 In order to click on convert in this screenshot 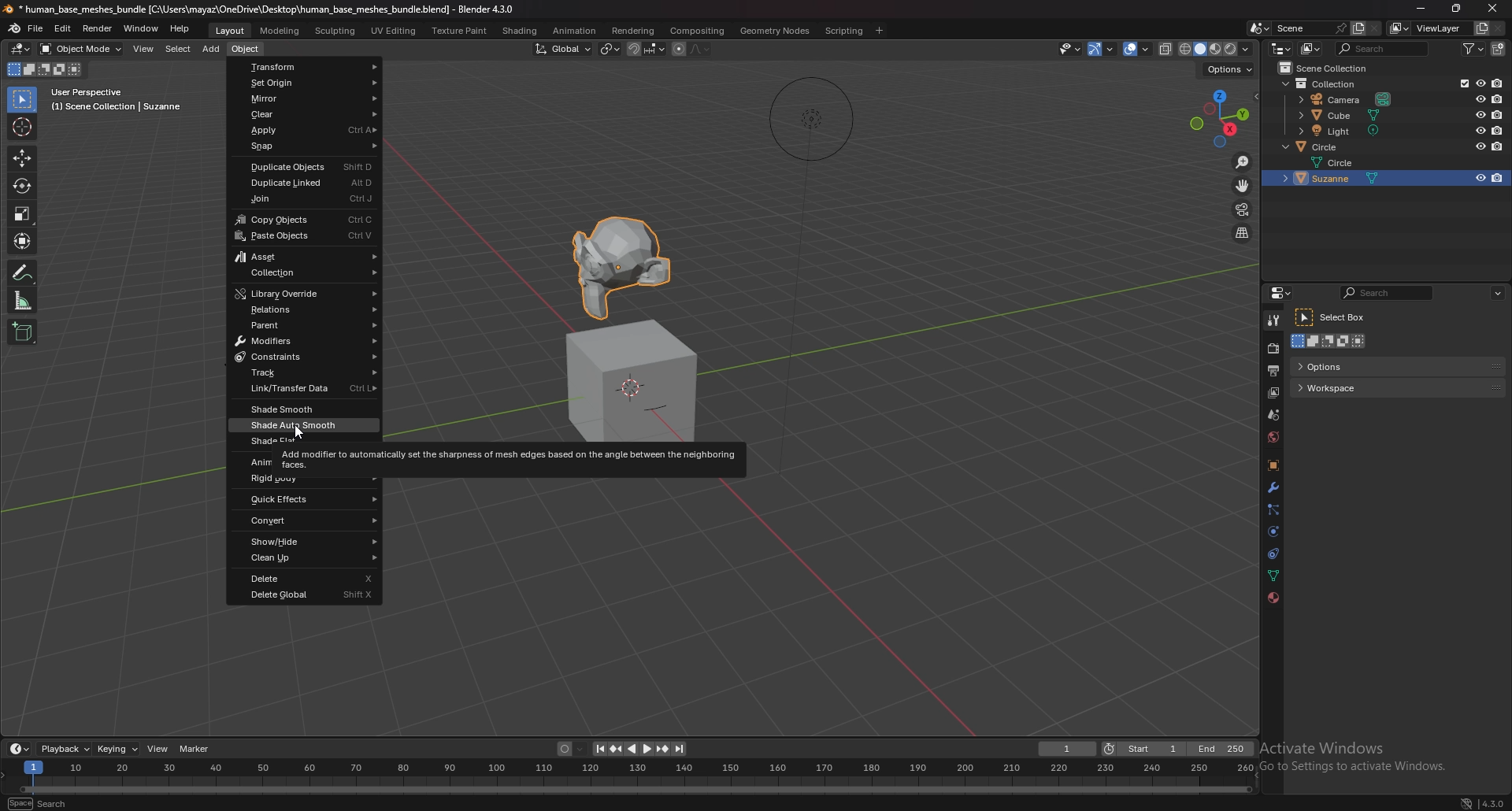, I will do `click(308, 521)`.